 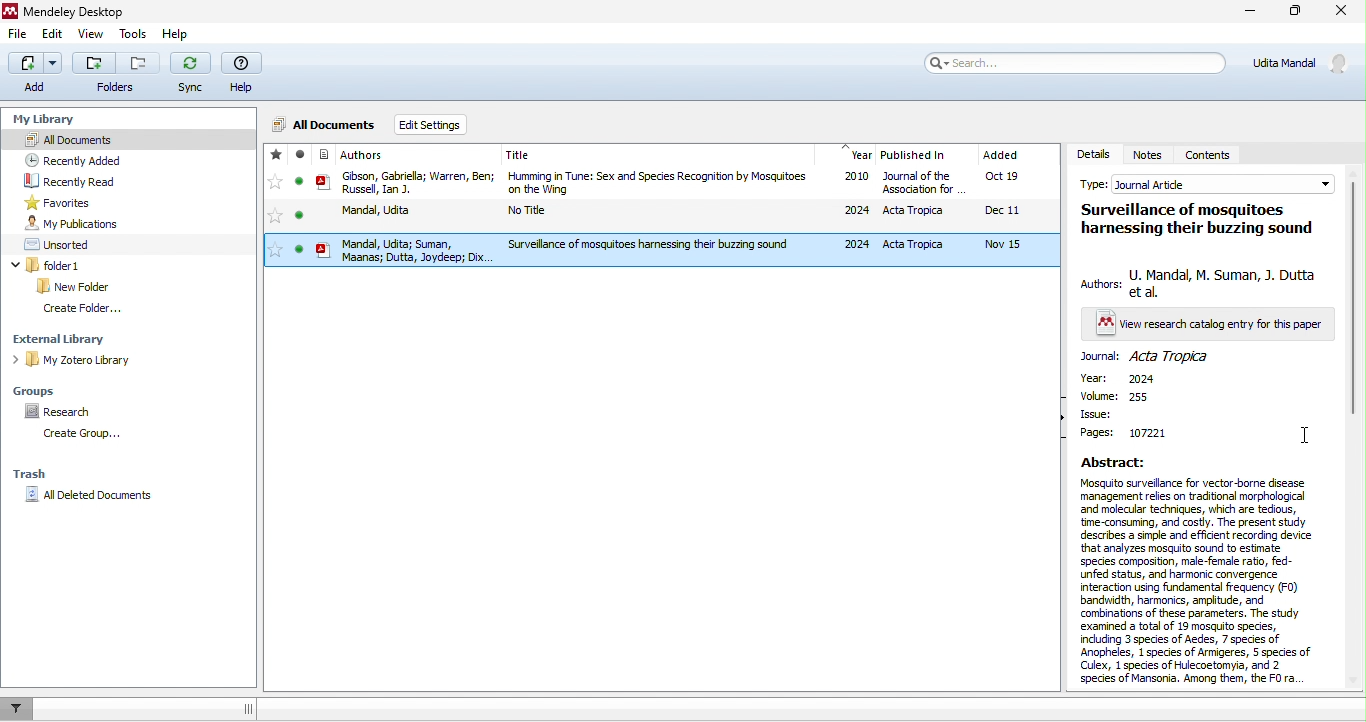 What do you see at coordinates (36, 75) in the screenshot?
I see `add` at bounding box center [36, 75].